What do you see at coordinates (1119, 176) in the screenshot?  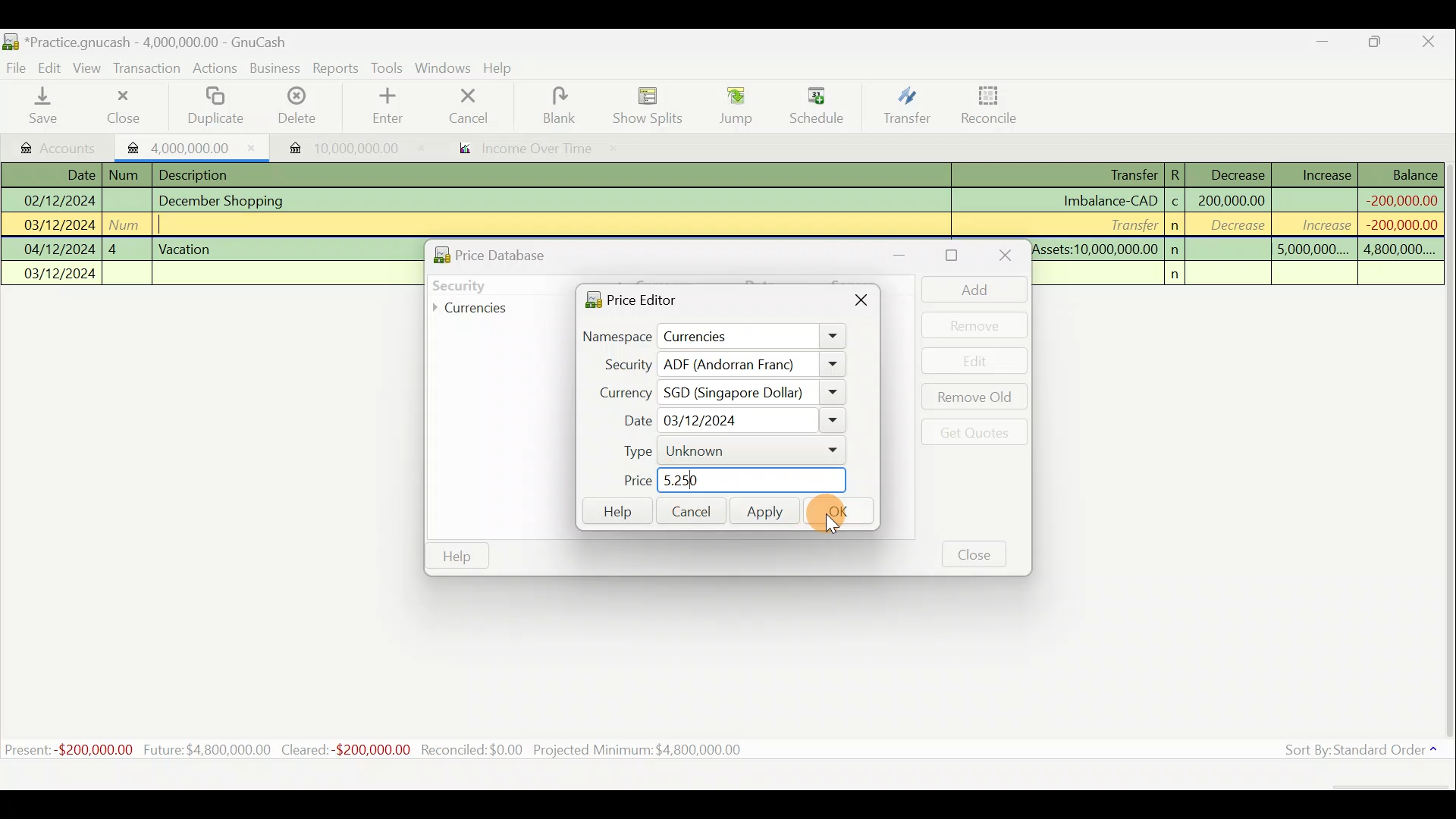 I see `Transfer` at bounding box center [1119, 176].